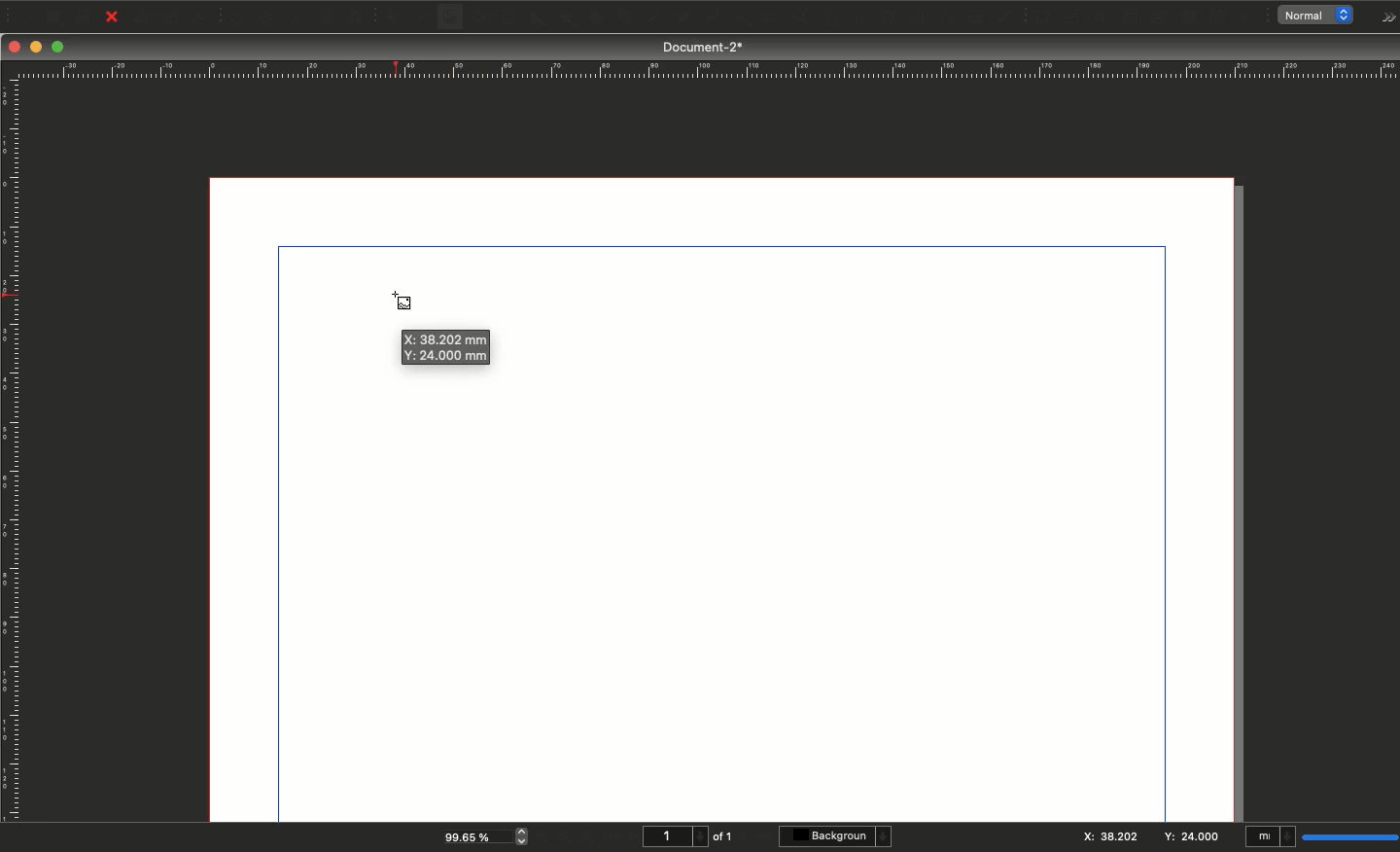 The height and width of the screenshot is (852, 1400). I want to click on Measurements, so click(941, 18).